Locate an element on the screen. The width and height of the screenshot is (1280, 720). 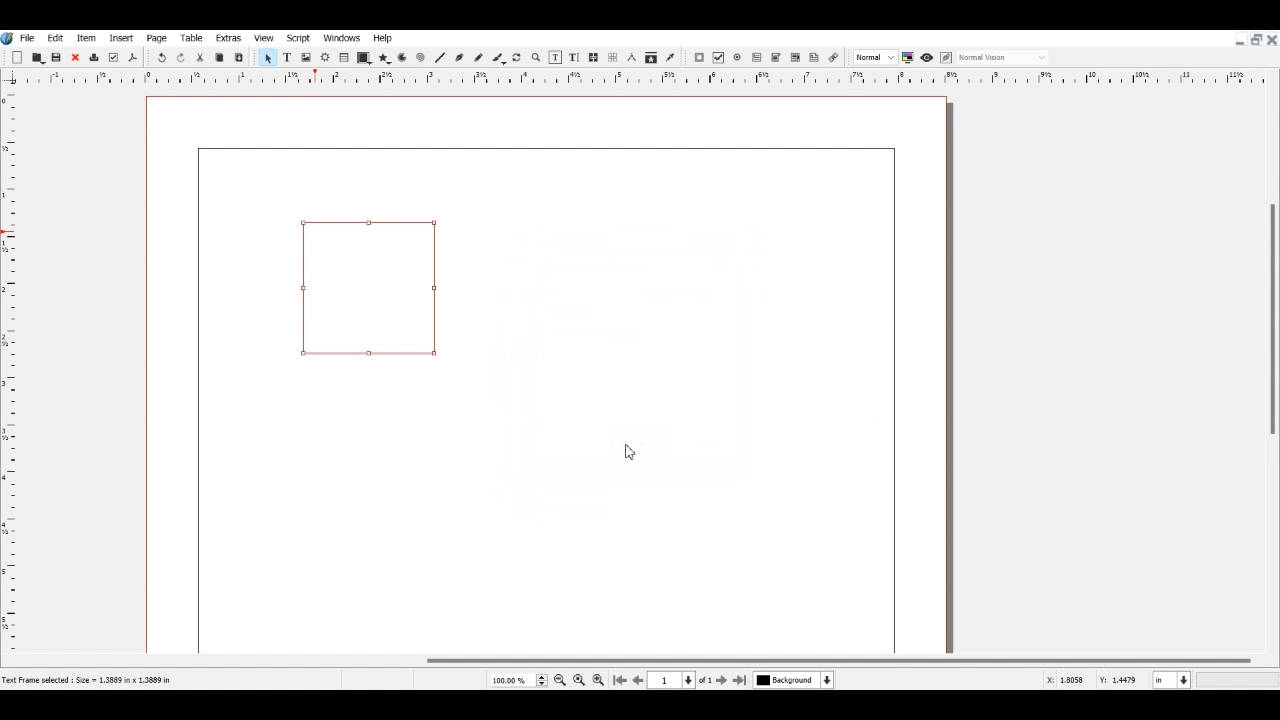
Toggle color management system is located at coordinates (909, 57).